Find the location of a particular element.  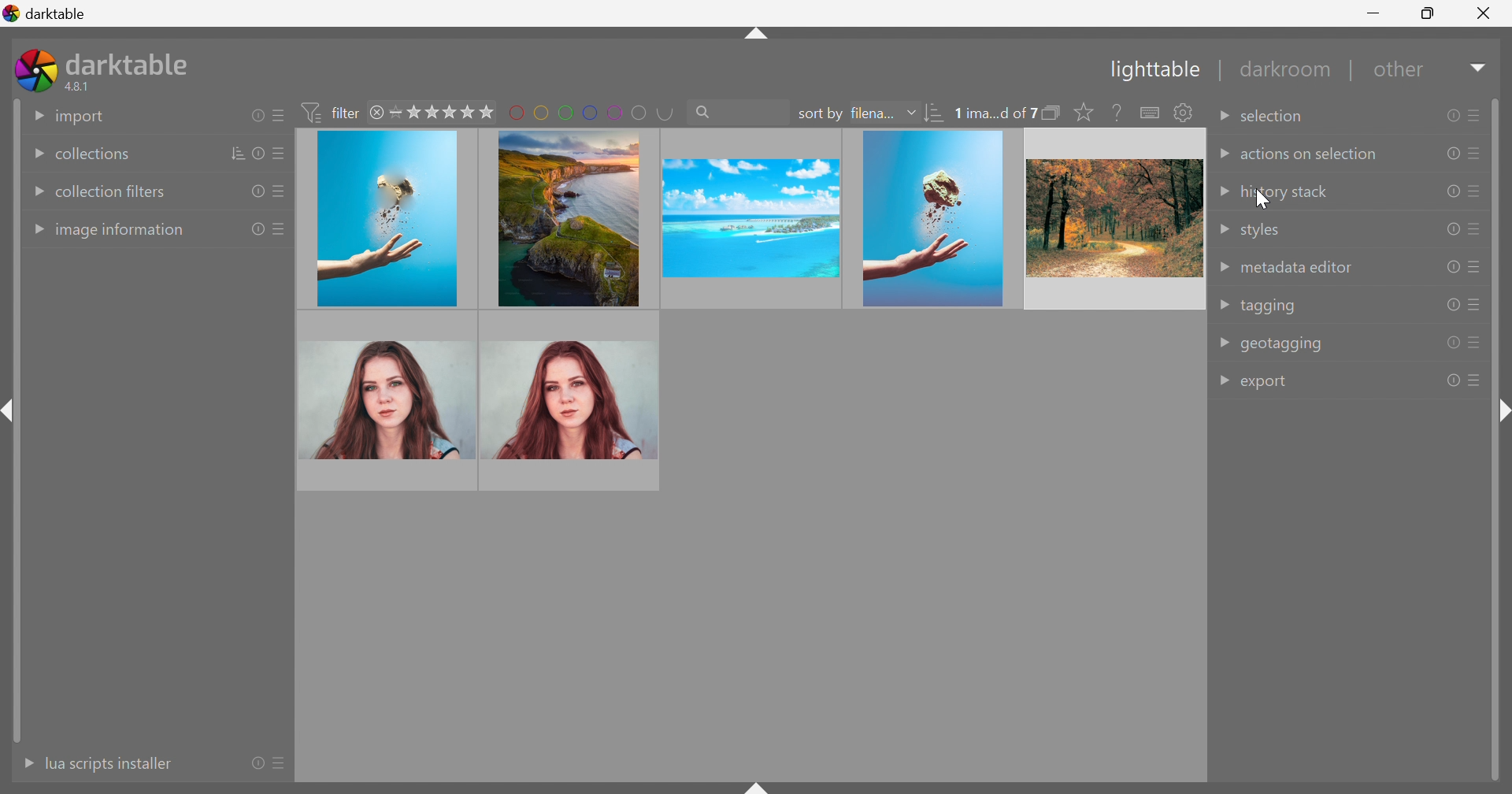

image is located at coordinates (1113, 218).